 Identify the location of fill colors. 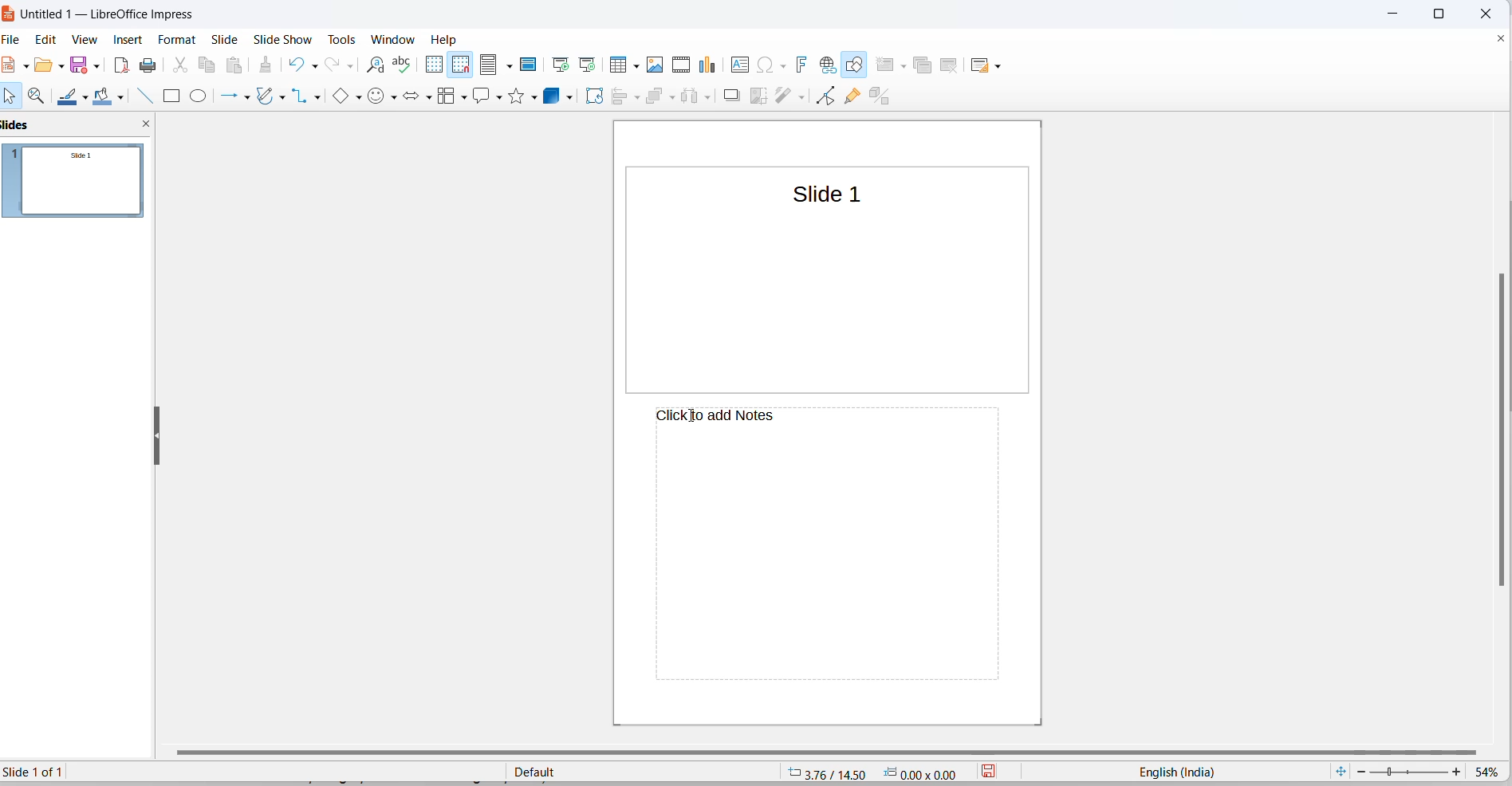
(105, 96).